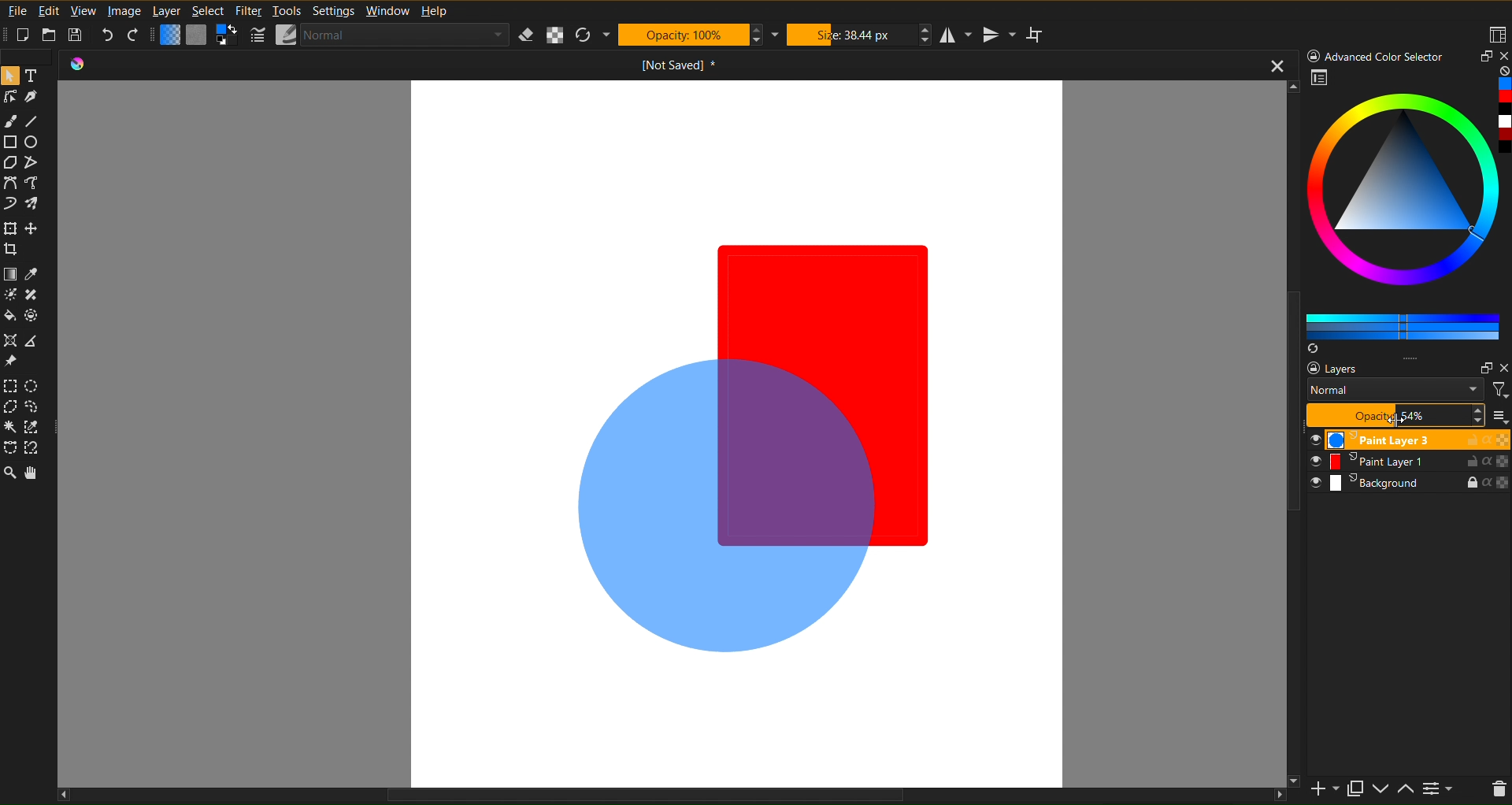 This screenshot has height=805, width=1512. I want to click on Paint Layer 1, so click(1407, 461).